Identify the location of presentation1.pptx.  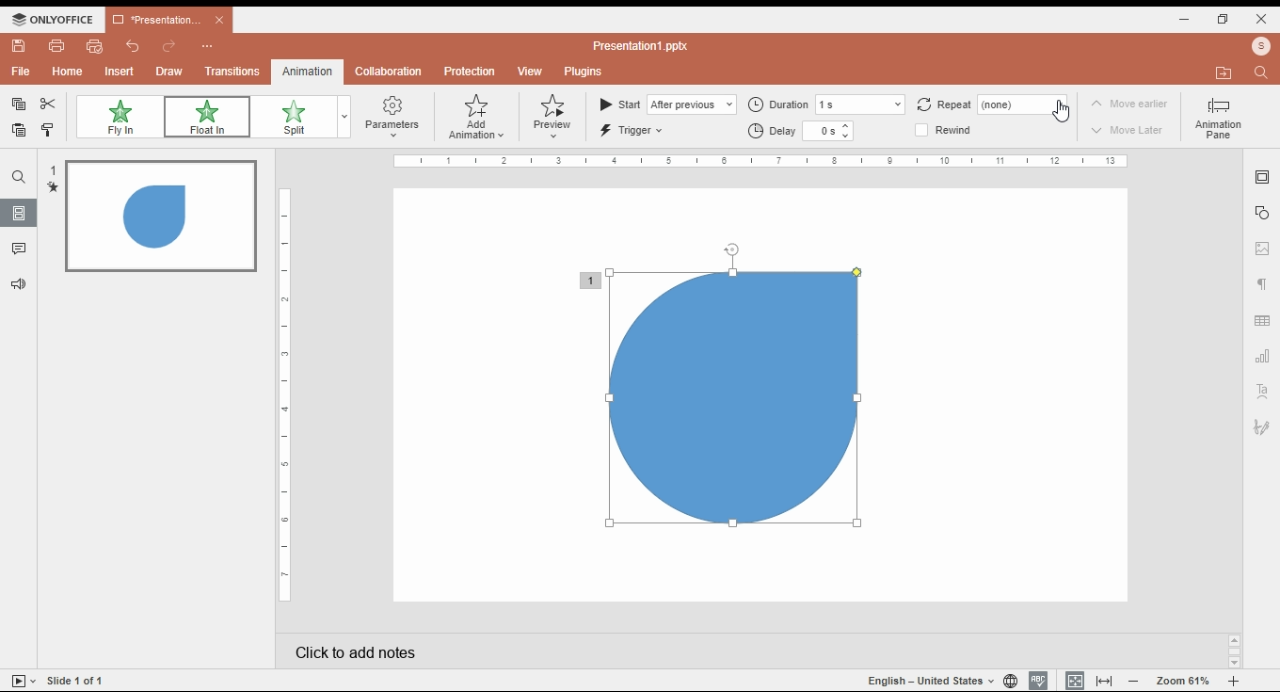
(645, 46).